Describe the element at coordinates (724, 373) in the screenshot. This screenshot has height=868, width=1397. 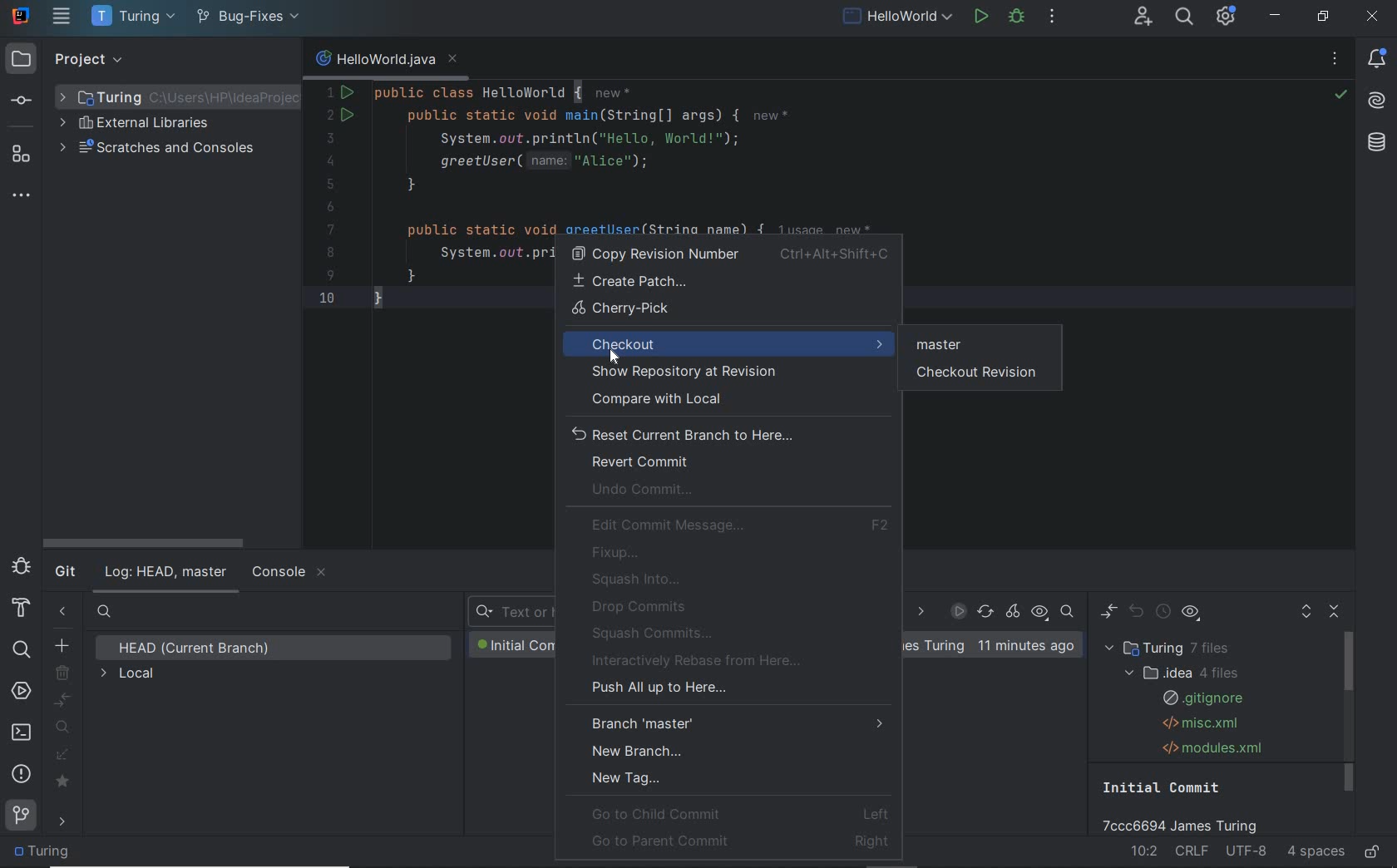
I see `show repository at revision` at that location.